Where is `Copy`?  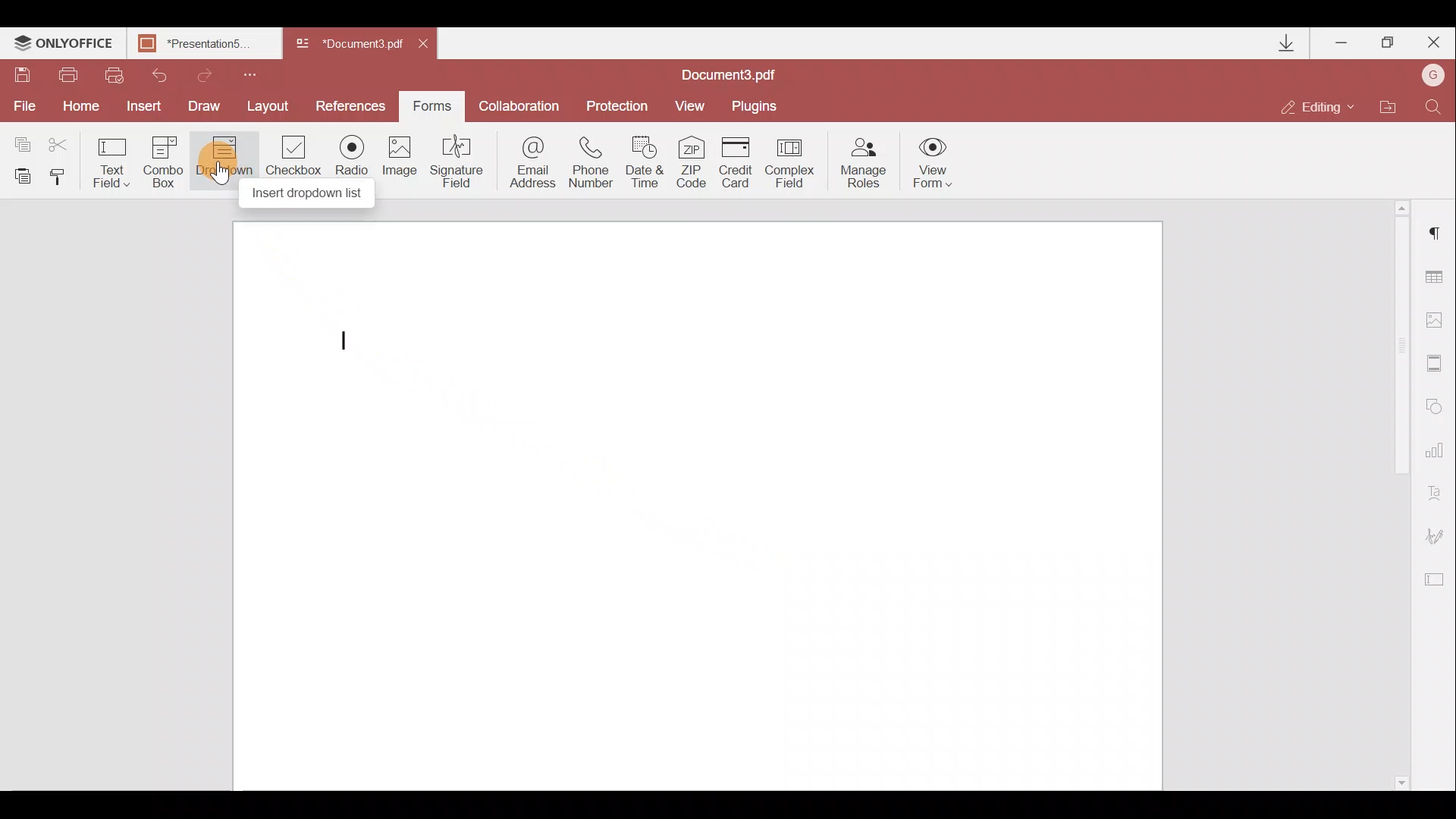 Copy is located at coordinates (18, 139).